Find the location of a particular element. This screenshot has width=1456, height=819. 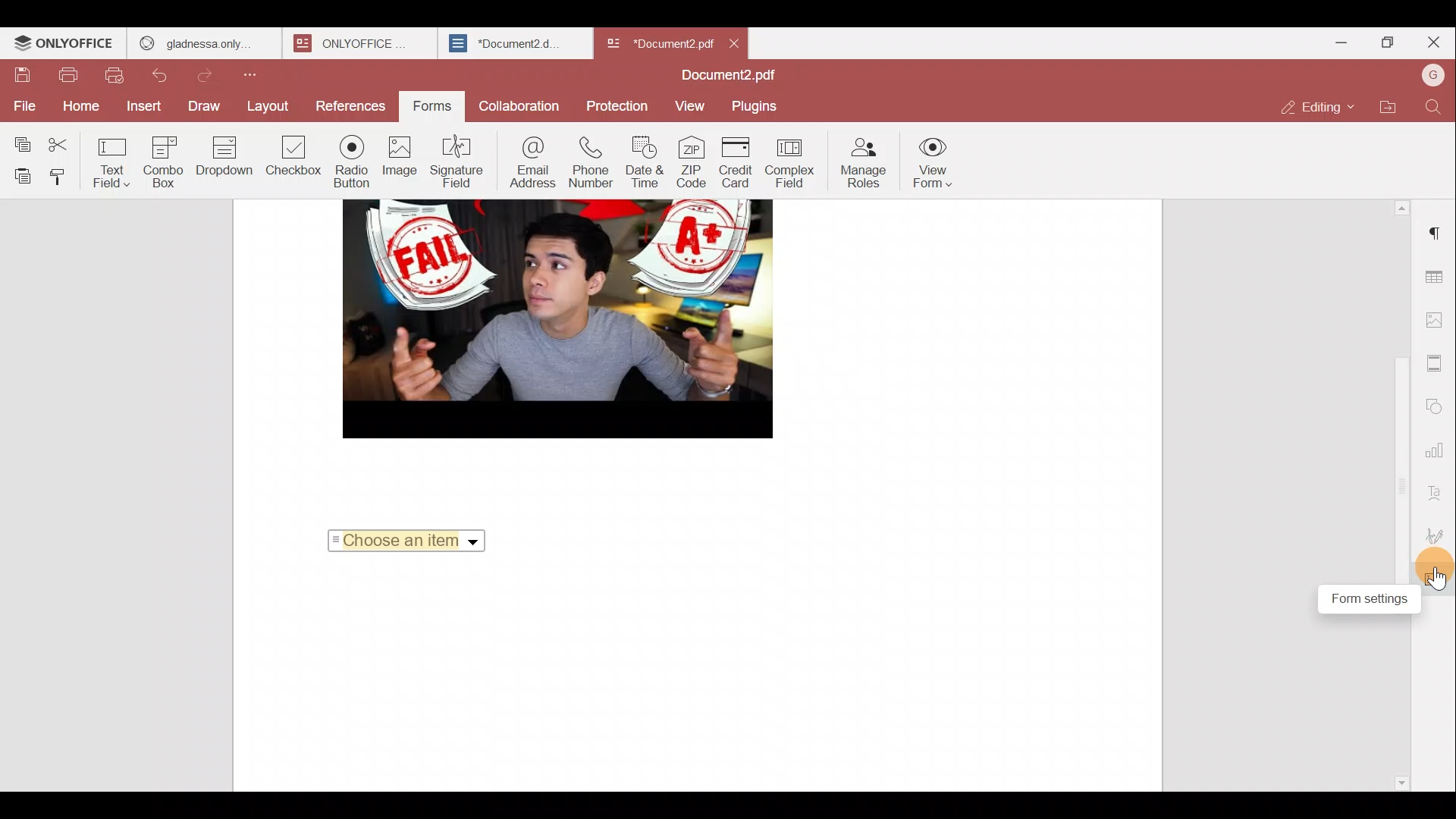

Checkbox is located at coordinates (290, 158).